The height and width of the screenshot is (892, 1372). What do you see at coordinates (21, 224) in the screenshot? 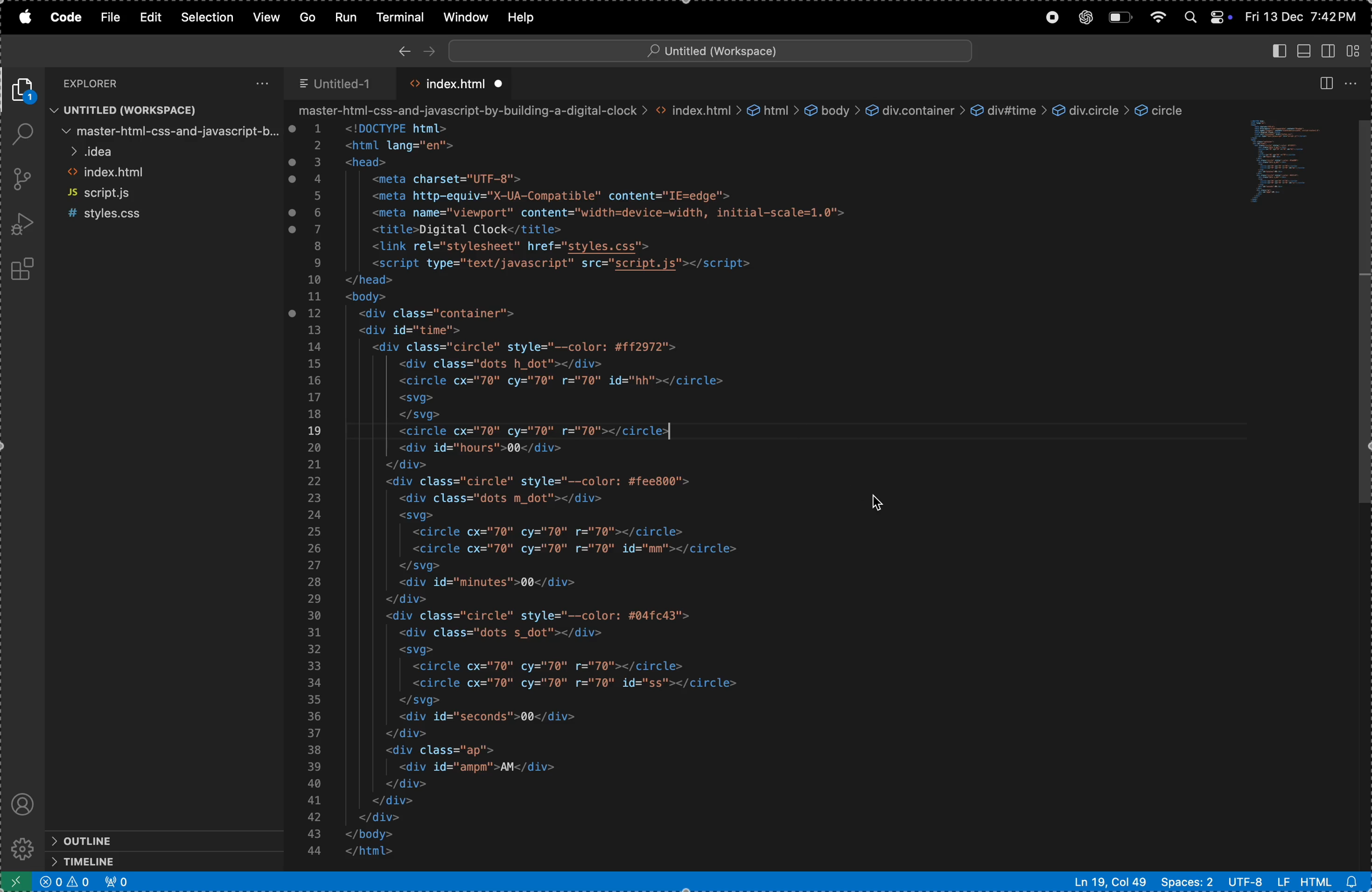
I see `run debug` at bounding box center [21, 224].